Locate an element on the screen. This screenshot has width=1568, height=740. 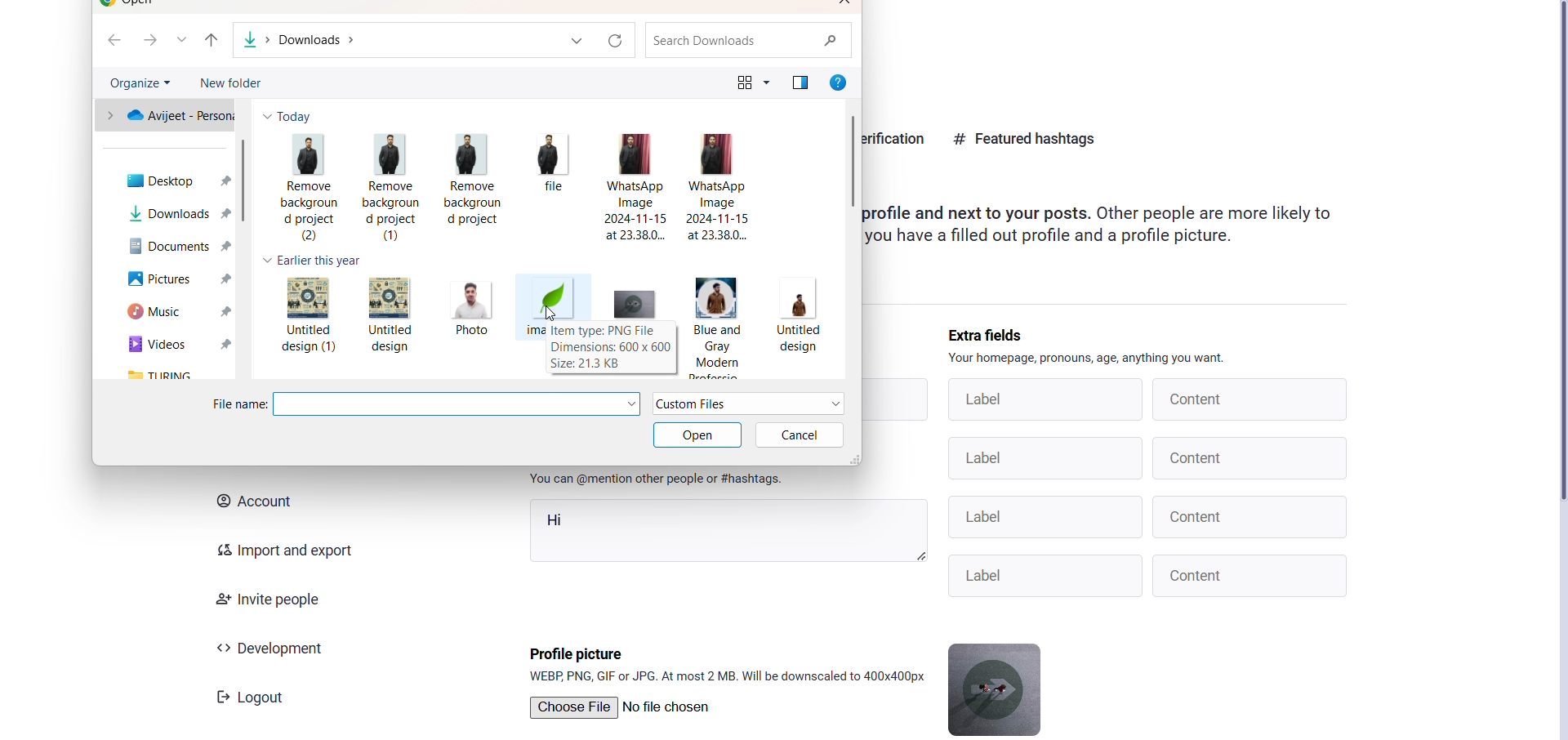
profile picture is located at coordinates (577, 651).